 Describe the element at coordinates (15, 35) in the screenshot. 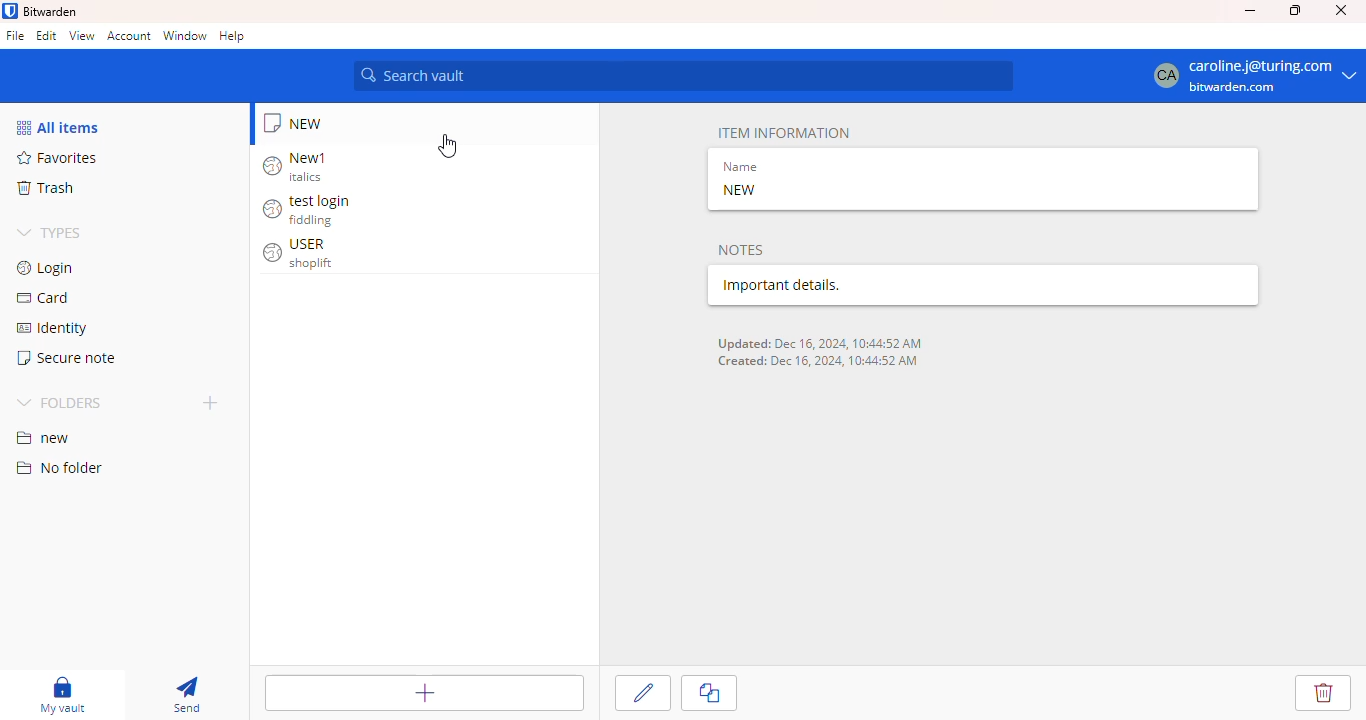

I see `file` at that location.